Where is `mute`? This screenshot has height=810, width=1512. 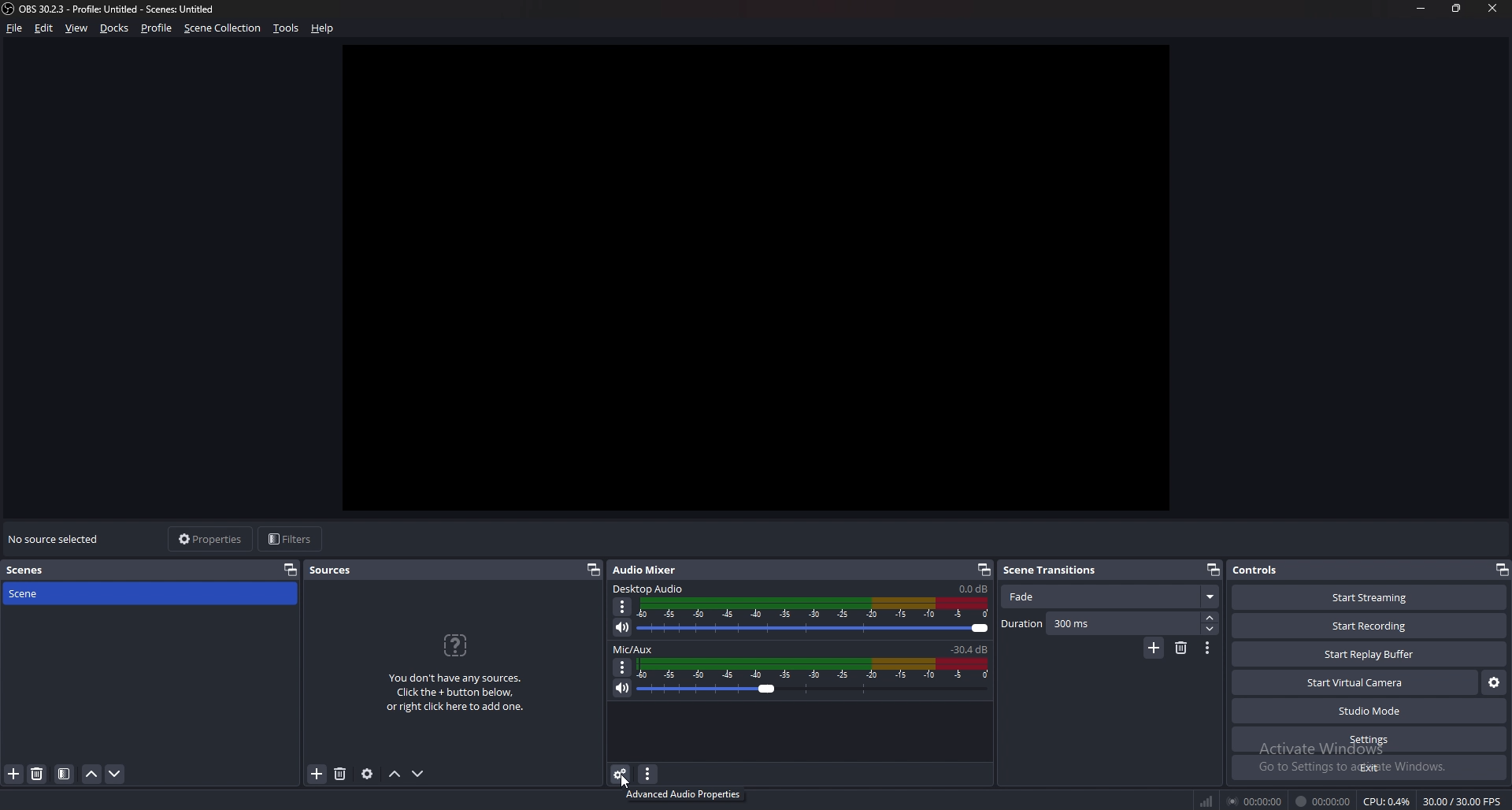
mute is located at coordinates (624, 626).